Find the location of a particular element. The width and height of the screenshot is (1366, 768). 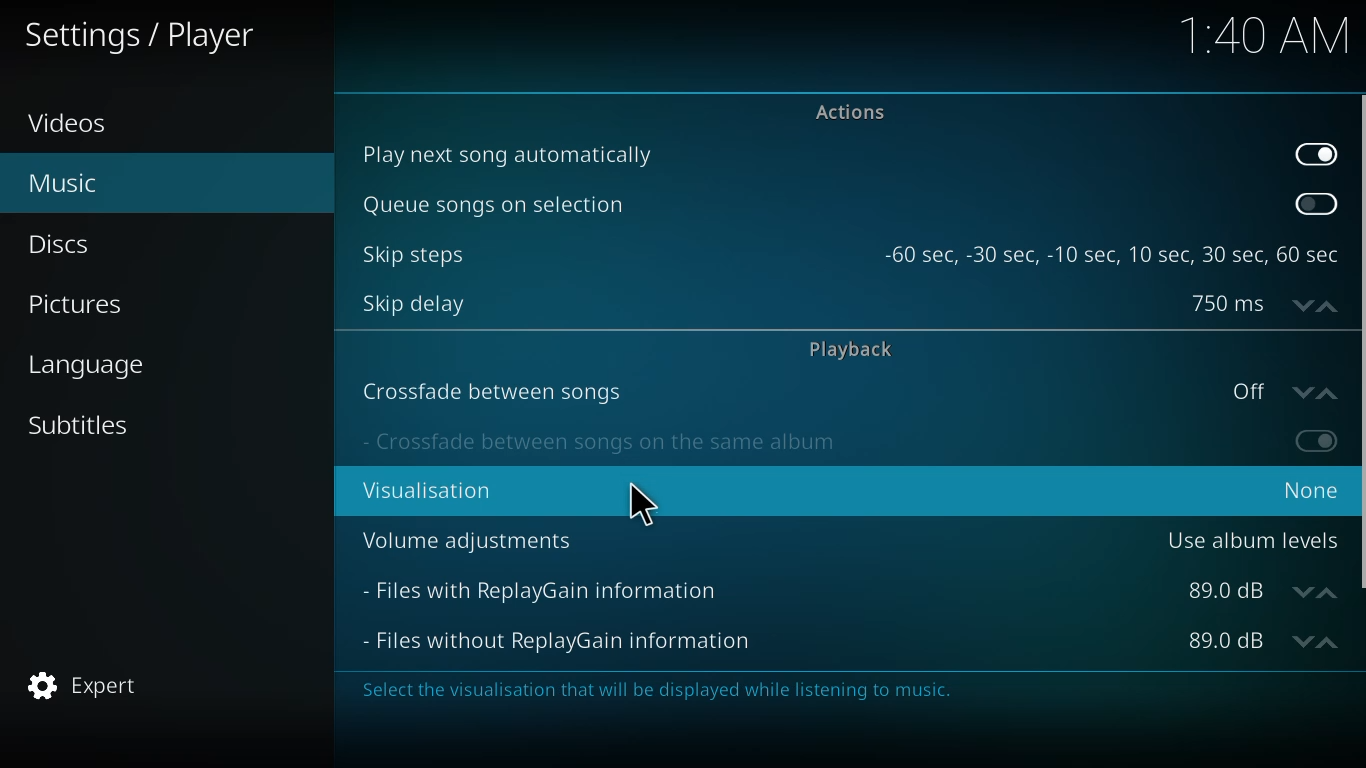

player is located at coordinates (148, 36).